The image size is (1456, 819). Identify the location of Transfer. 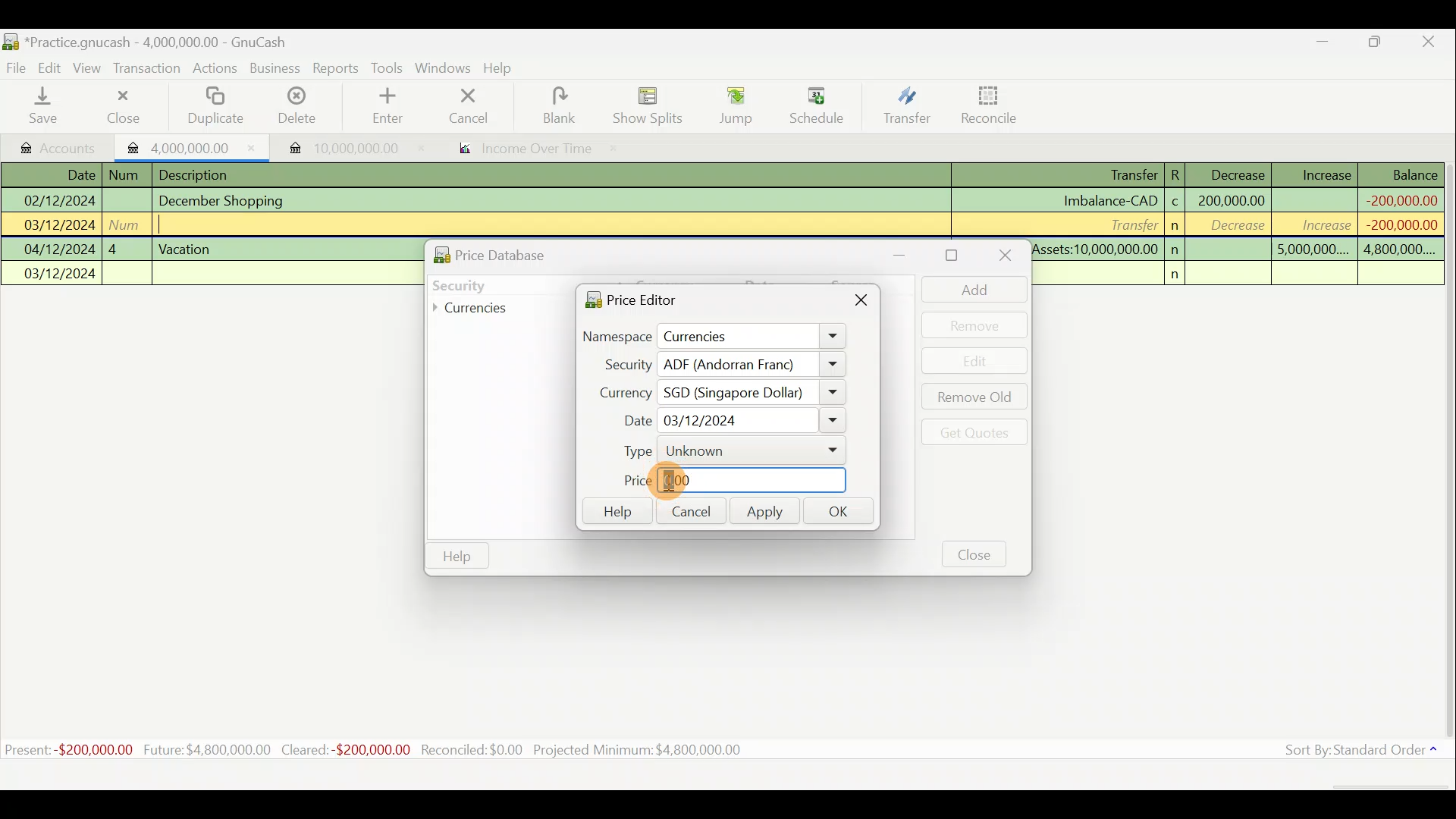
(1119, 176).